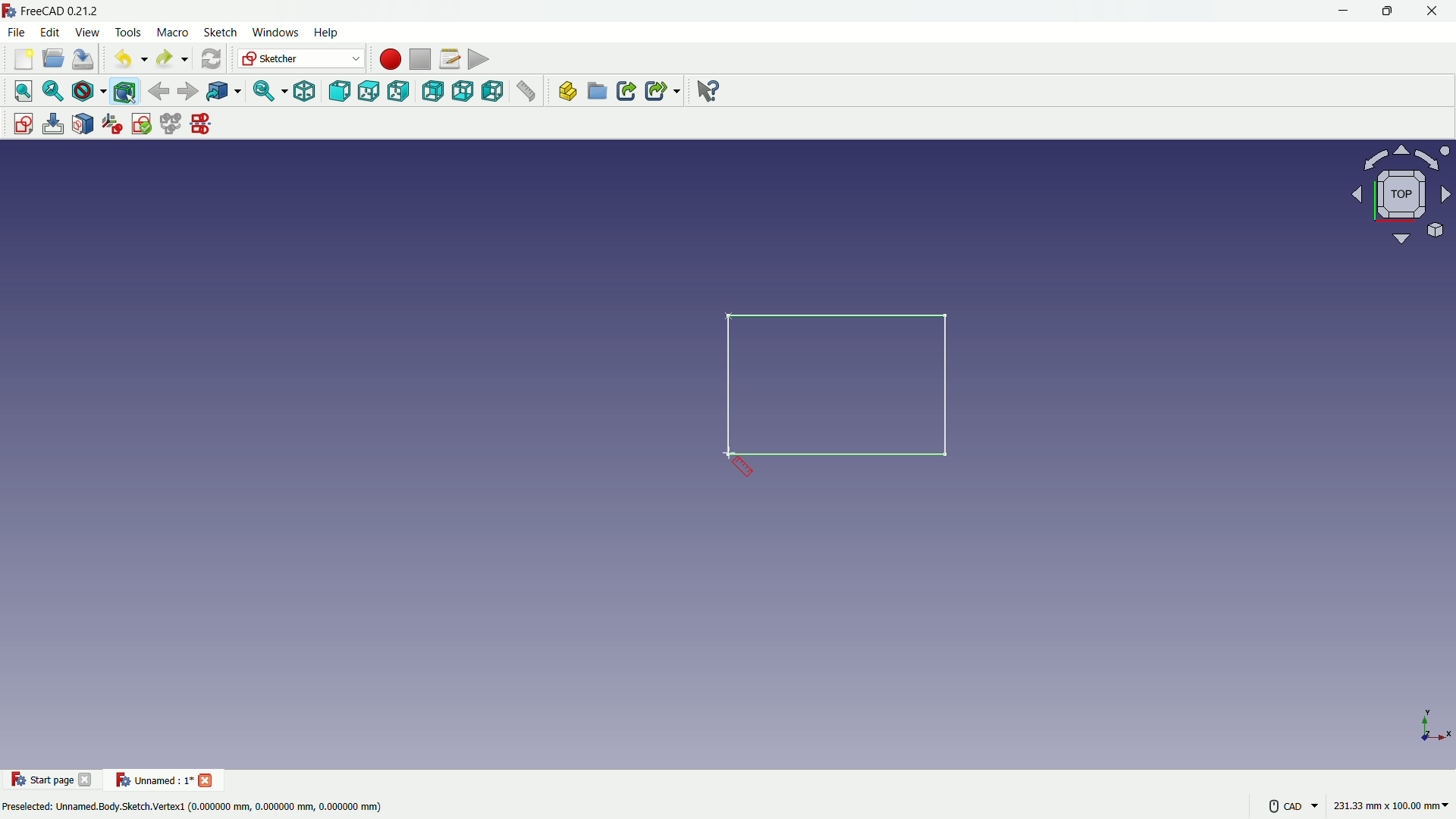 The image size is (1456, 819). I want to click on undo, so click(126, 60).